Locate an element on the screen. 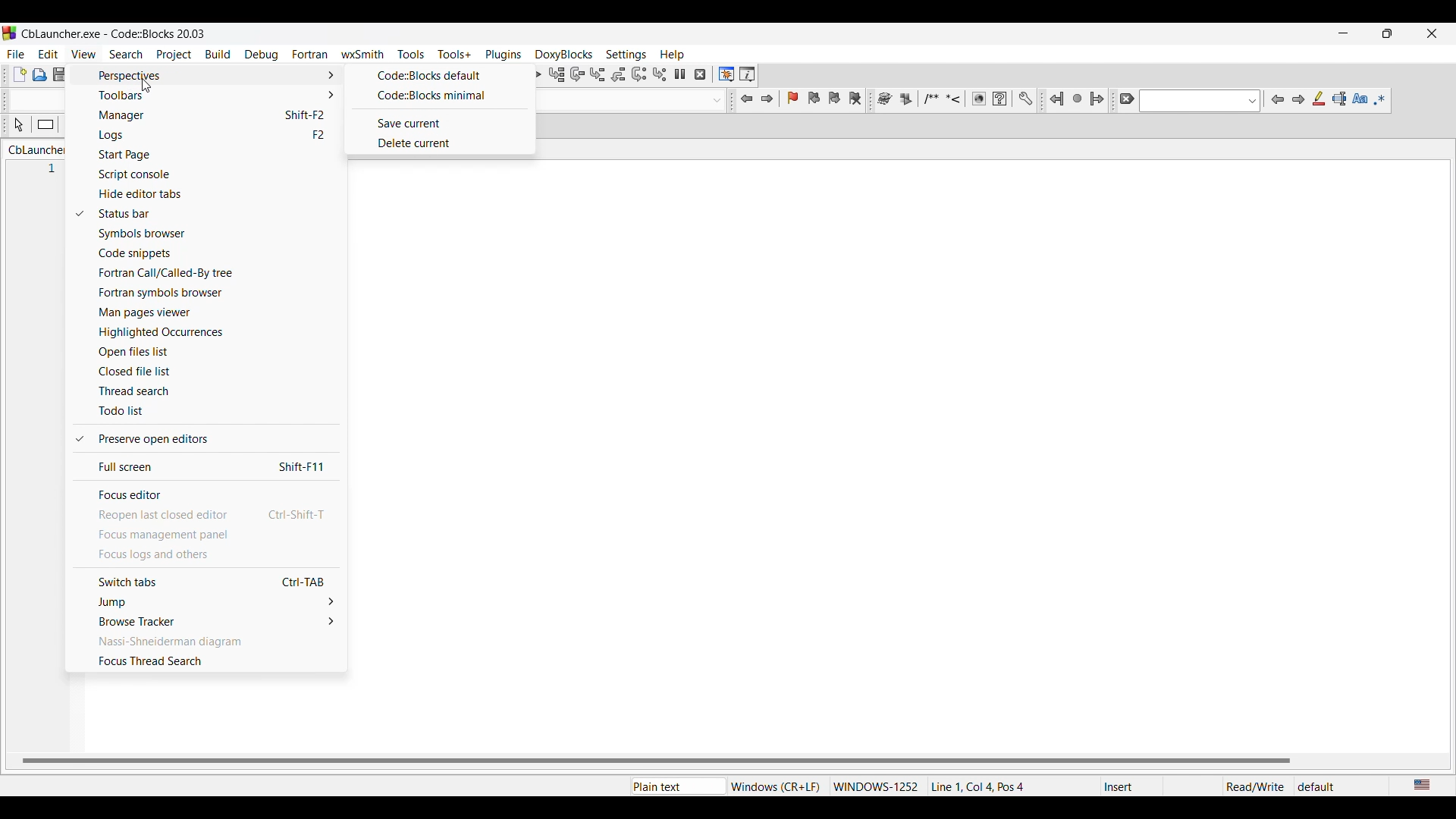 Image resolution: width=1456 pixels, height=819 pixels. Toolbar options is located at coordinates (215, 95).